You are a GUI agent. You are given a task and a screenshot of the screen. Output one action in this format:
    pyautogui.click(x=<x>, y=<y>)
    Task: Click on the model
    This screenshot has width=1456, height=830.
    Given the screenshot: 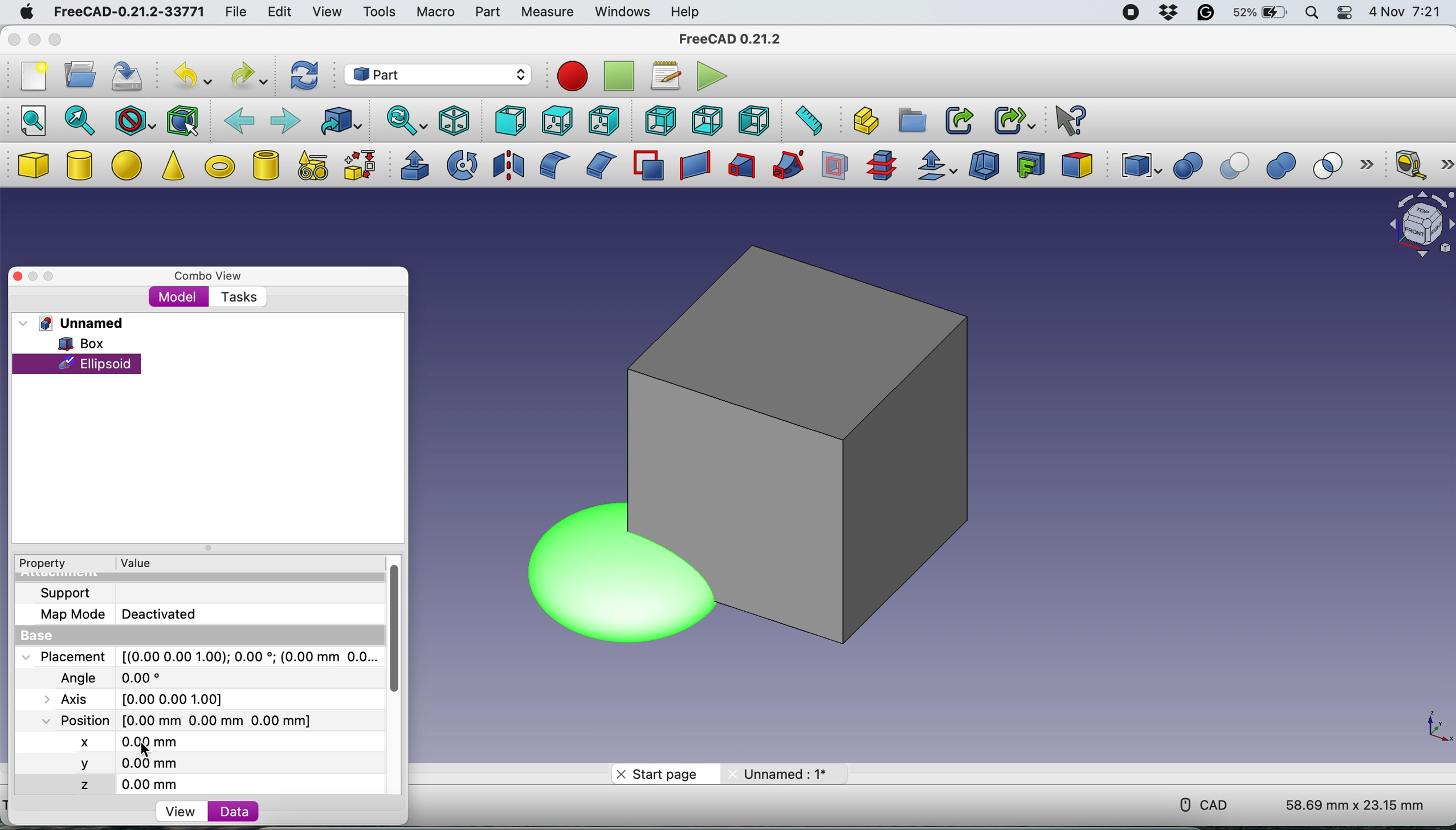 What is the action you would take?
    pyautogui.click(x=178, y=296)
    